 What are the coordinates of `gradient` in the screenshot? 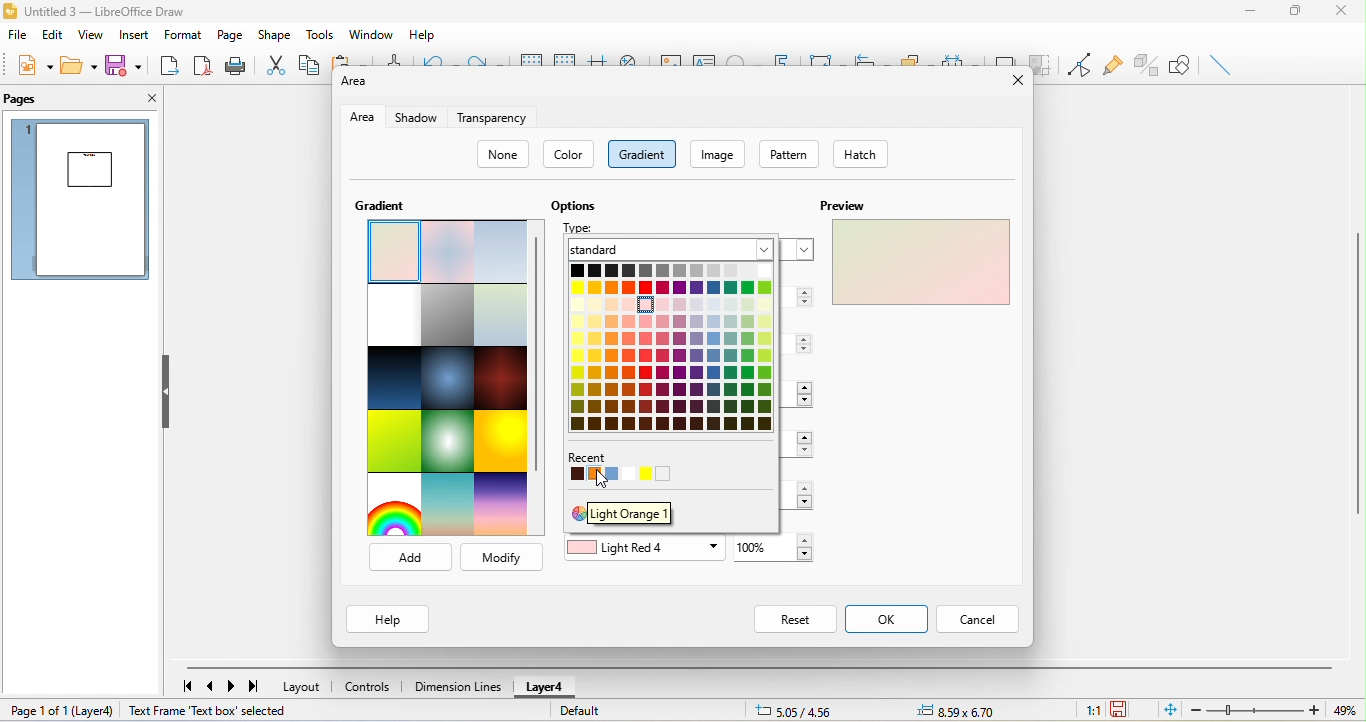 It's located at (379, 206).